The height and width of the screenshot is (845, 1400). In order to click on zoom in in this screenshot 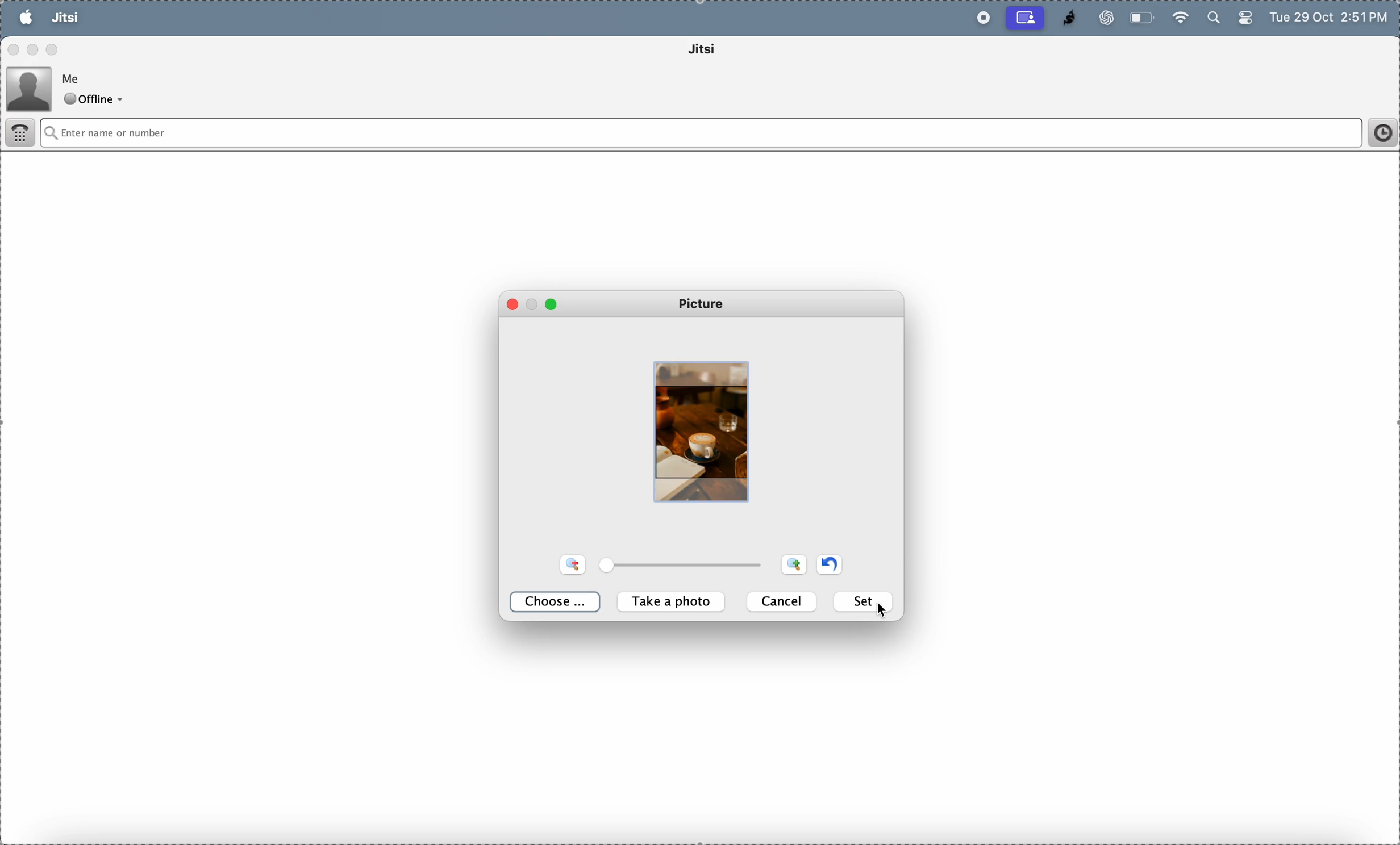, I will do `click(575, 564)`.